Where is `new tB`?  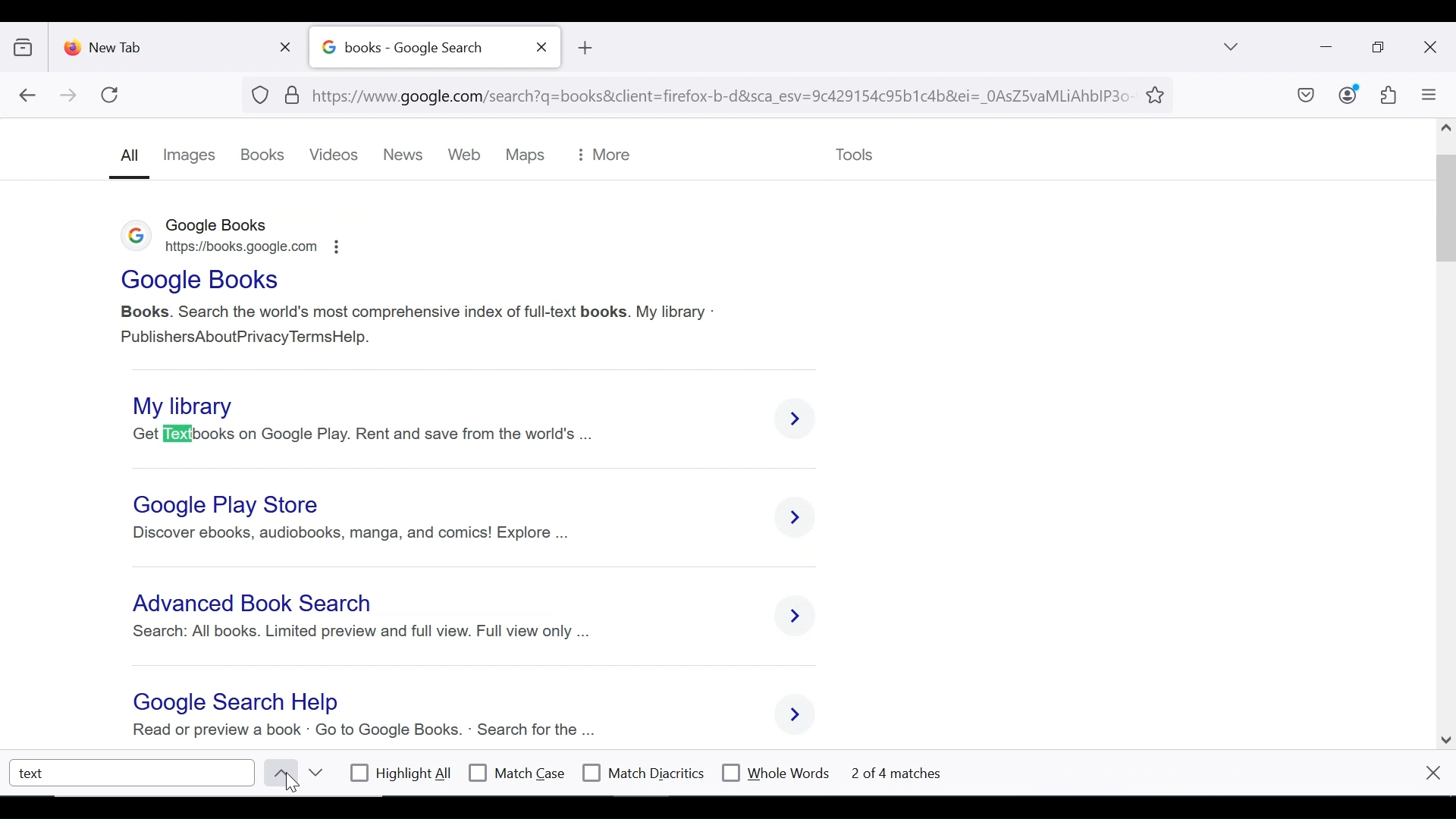 new tB is located at coordinates (584, 48).